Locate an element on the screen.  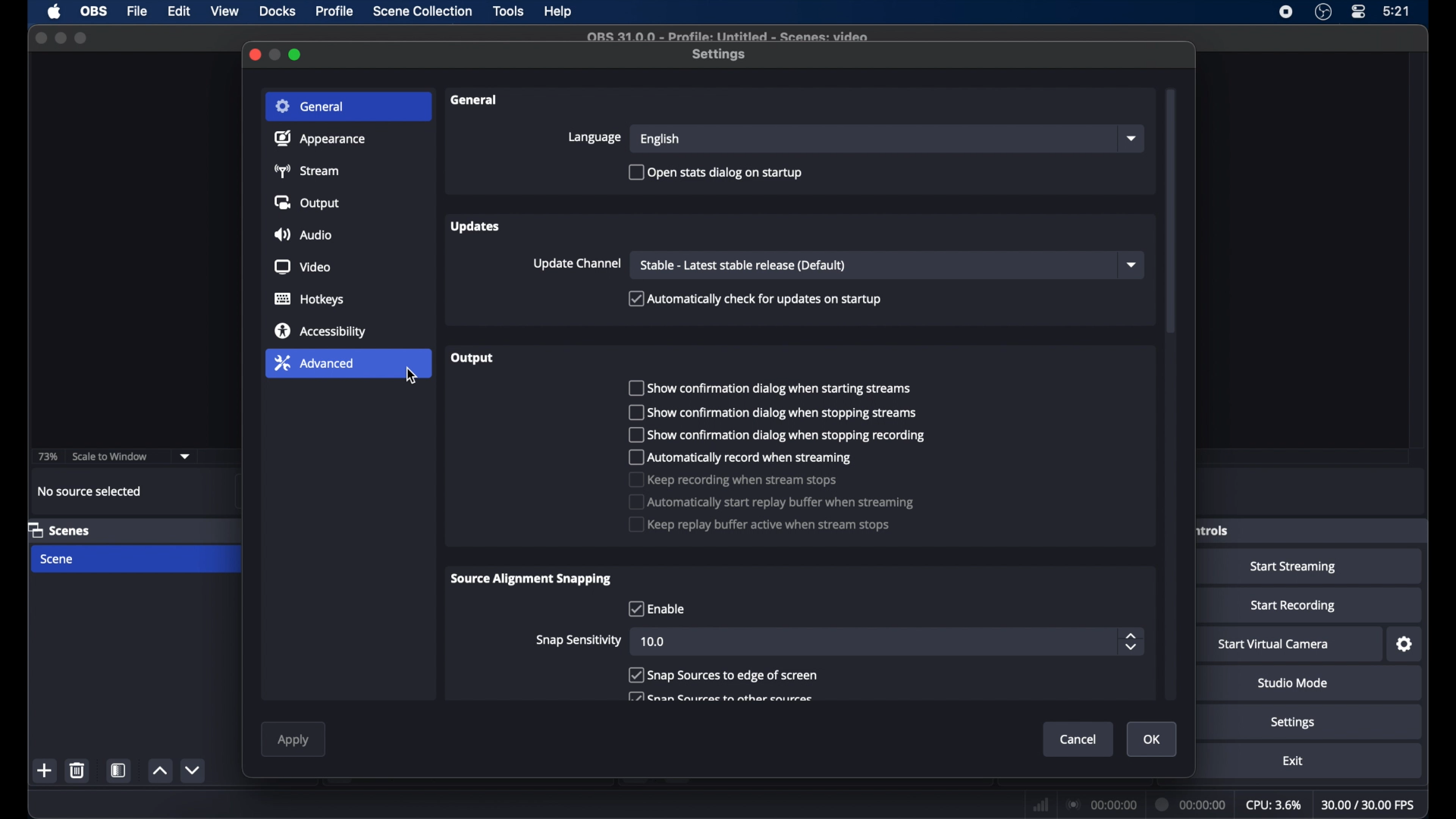
appearance is located at coordinates (320, 140).